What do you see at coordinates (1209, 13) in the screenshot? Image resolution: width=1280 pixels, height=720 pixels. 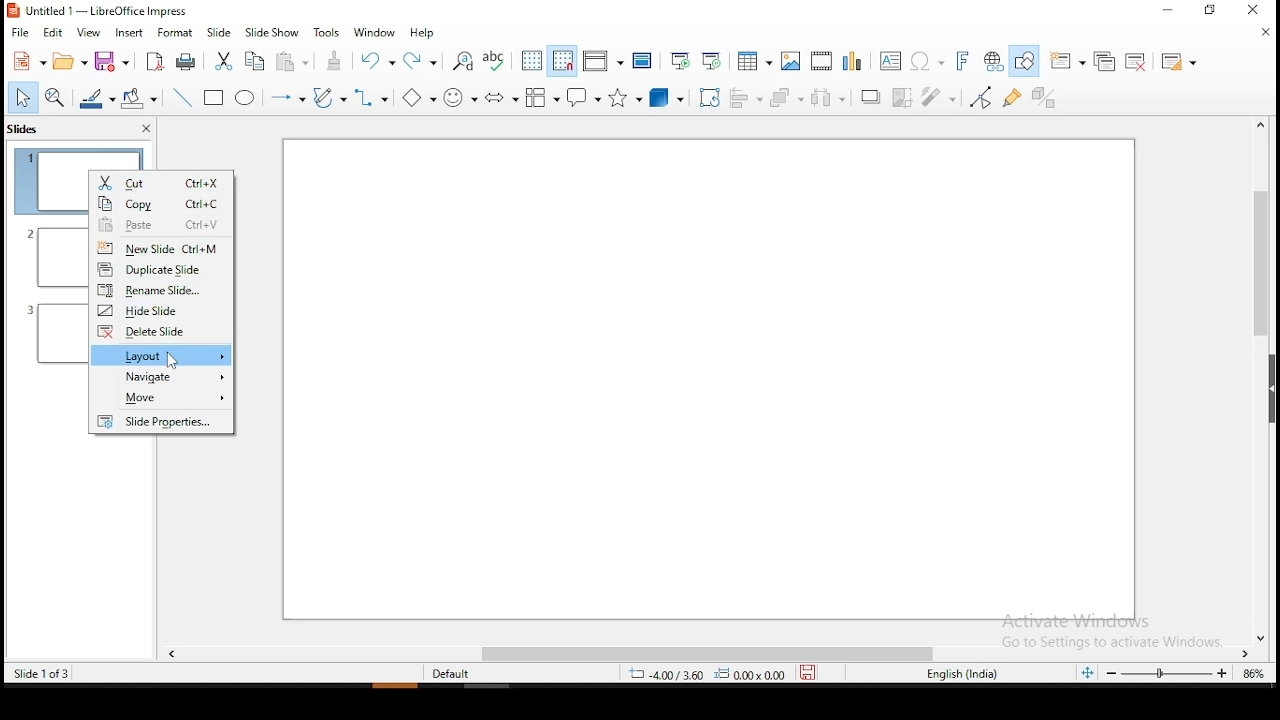 I see `restore` at bounding box center [1209, 13].